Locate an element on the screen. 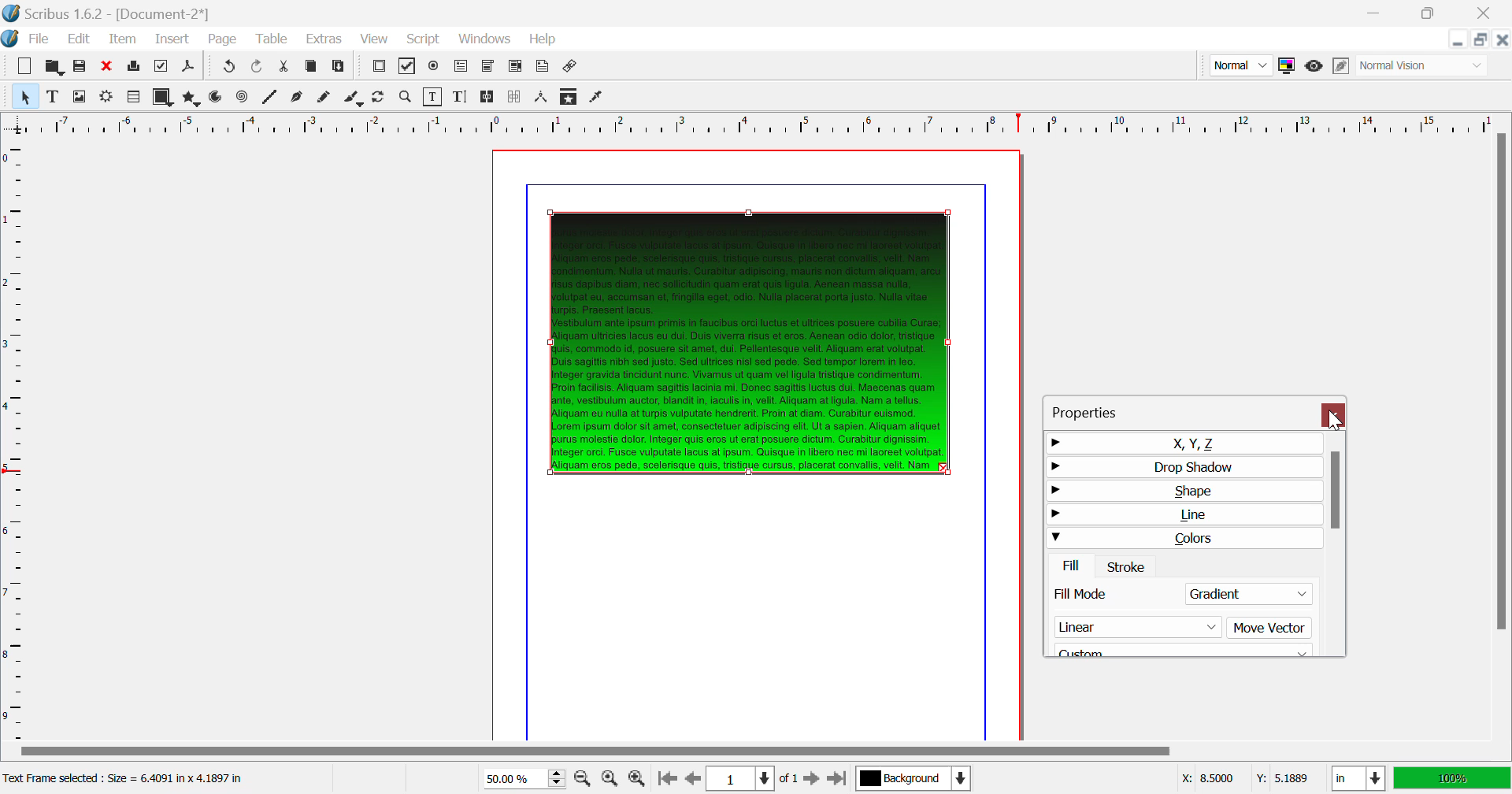 The image size is (1512, 794). Script is located at coordinates (424, 38).